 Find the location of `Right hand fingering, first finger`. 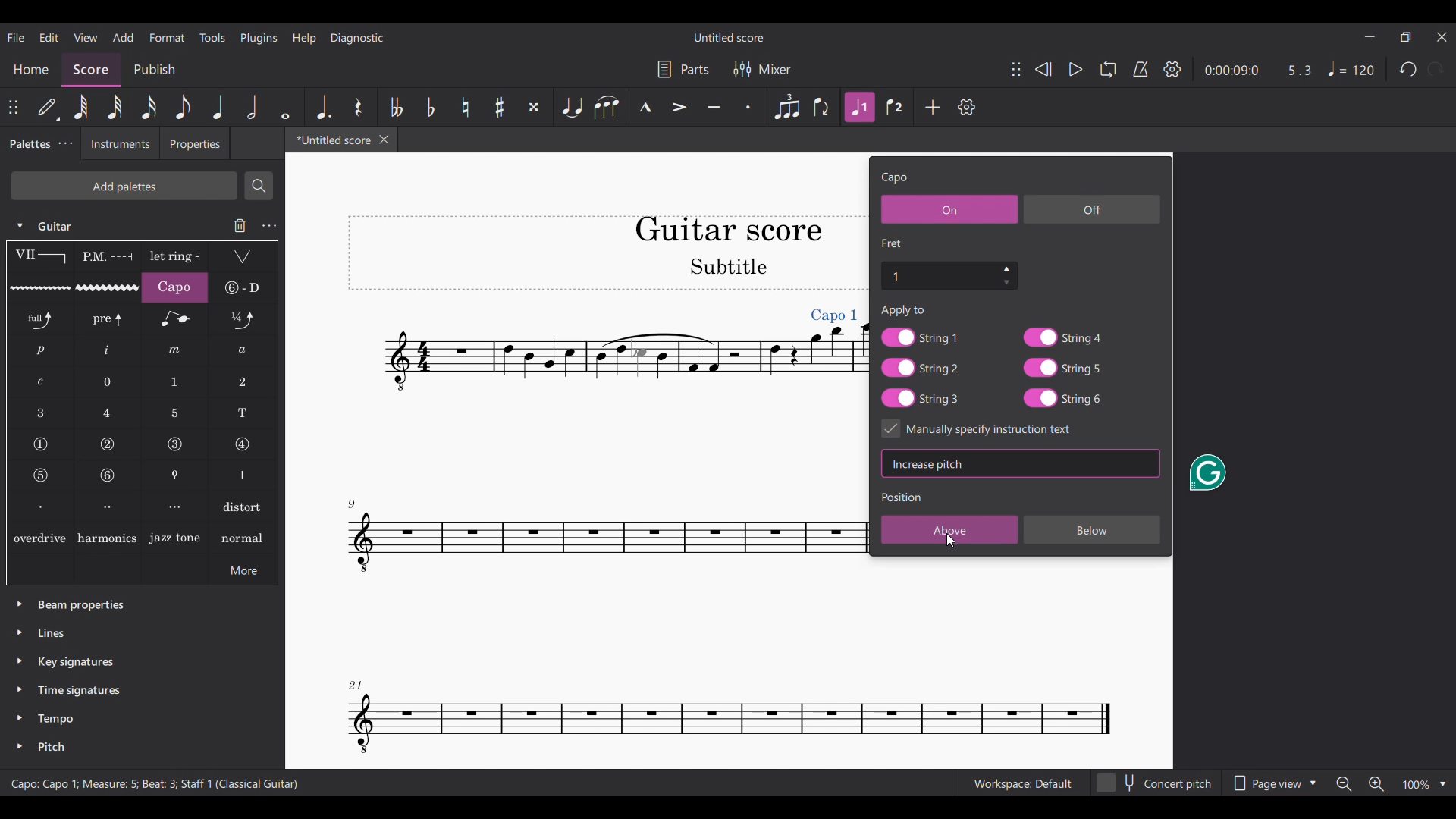

Right hand fingering, first finger is located at coordinates (39, 506).